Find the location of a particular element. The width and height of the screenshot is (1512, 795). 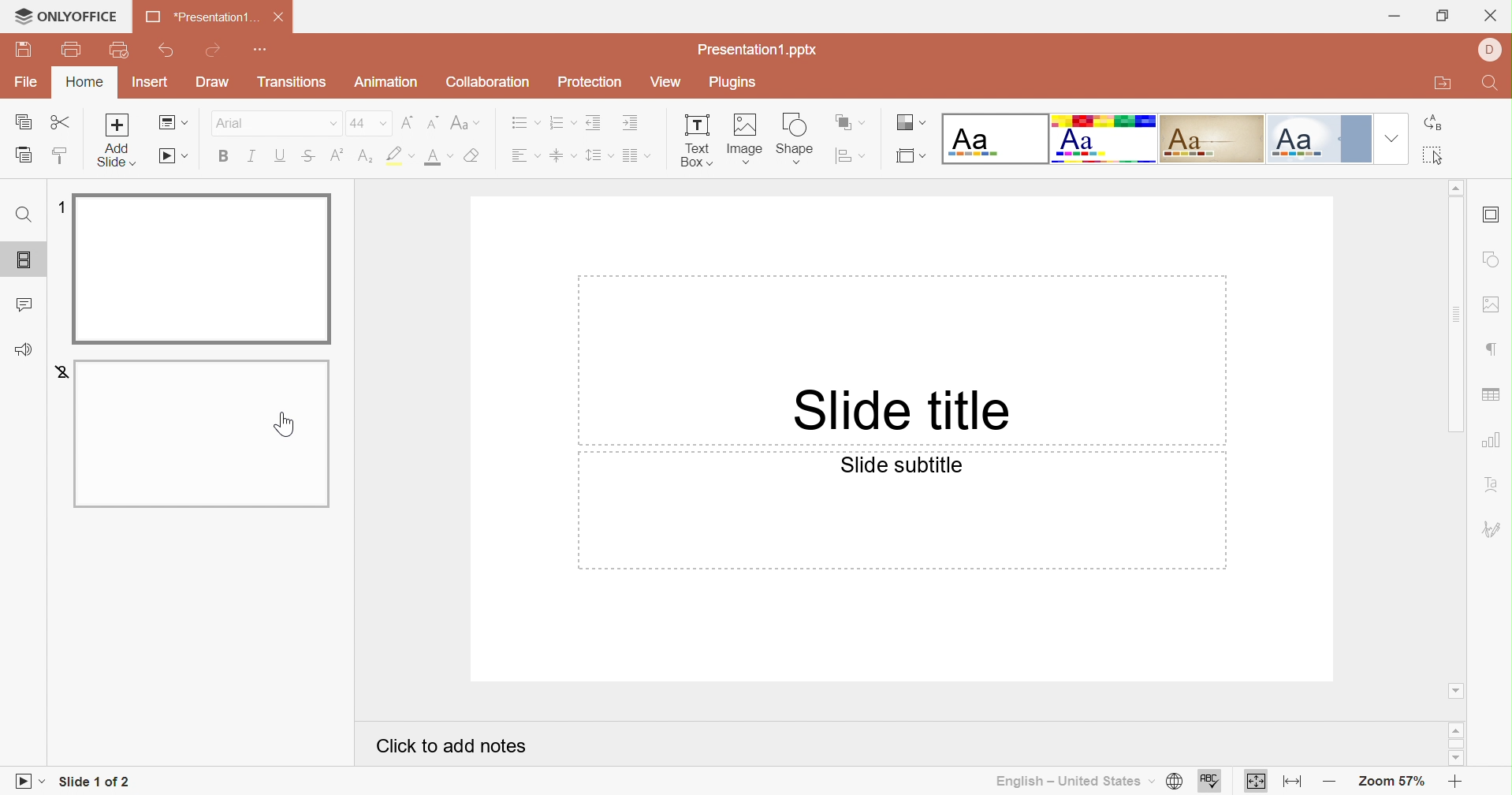

Customize Quick Access Toolbar is located at coordinates (264, 50).